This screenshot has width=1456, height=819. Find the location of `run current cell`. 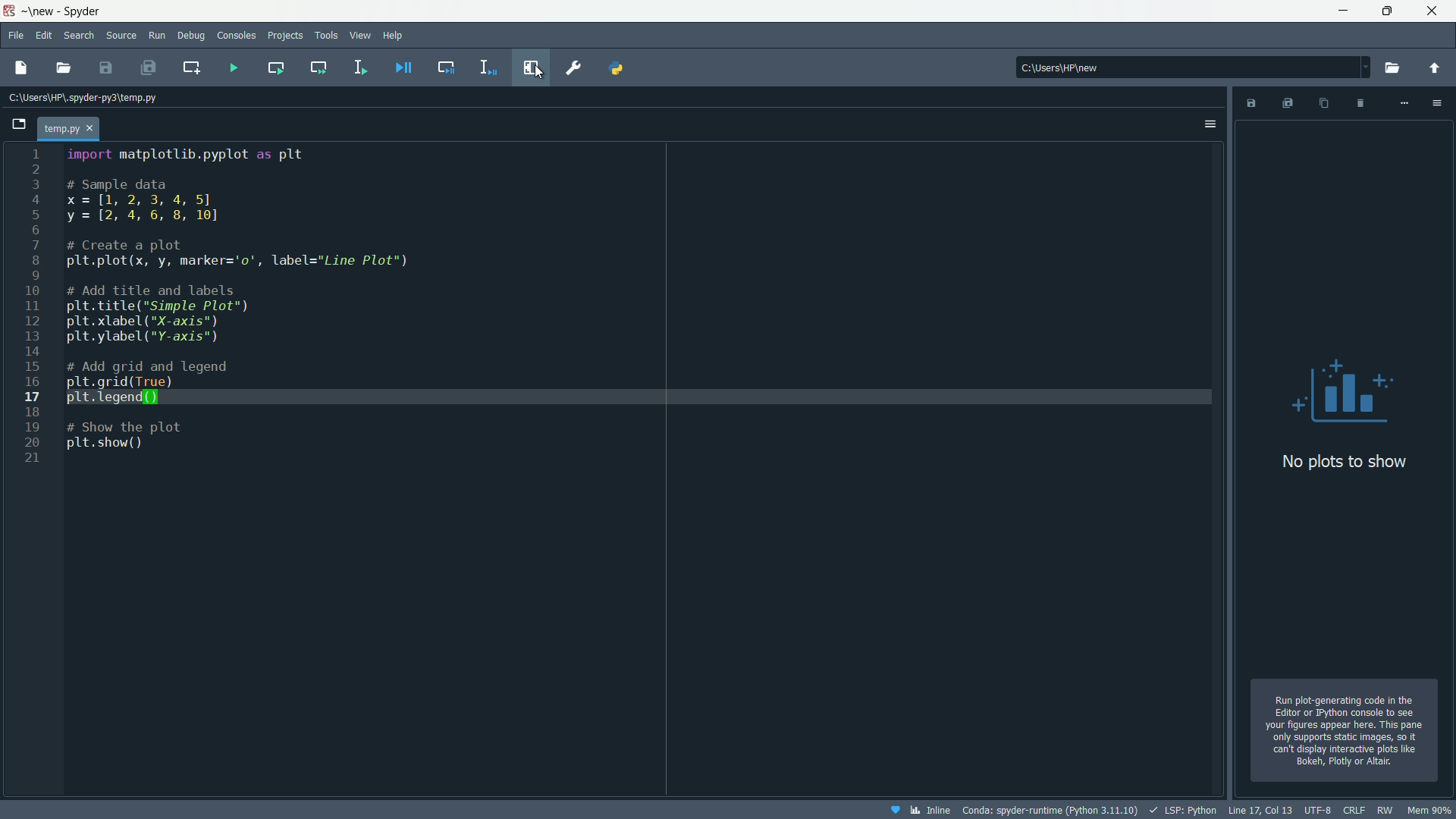

run current cell is located at coordinates (275, 68).